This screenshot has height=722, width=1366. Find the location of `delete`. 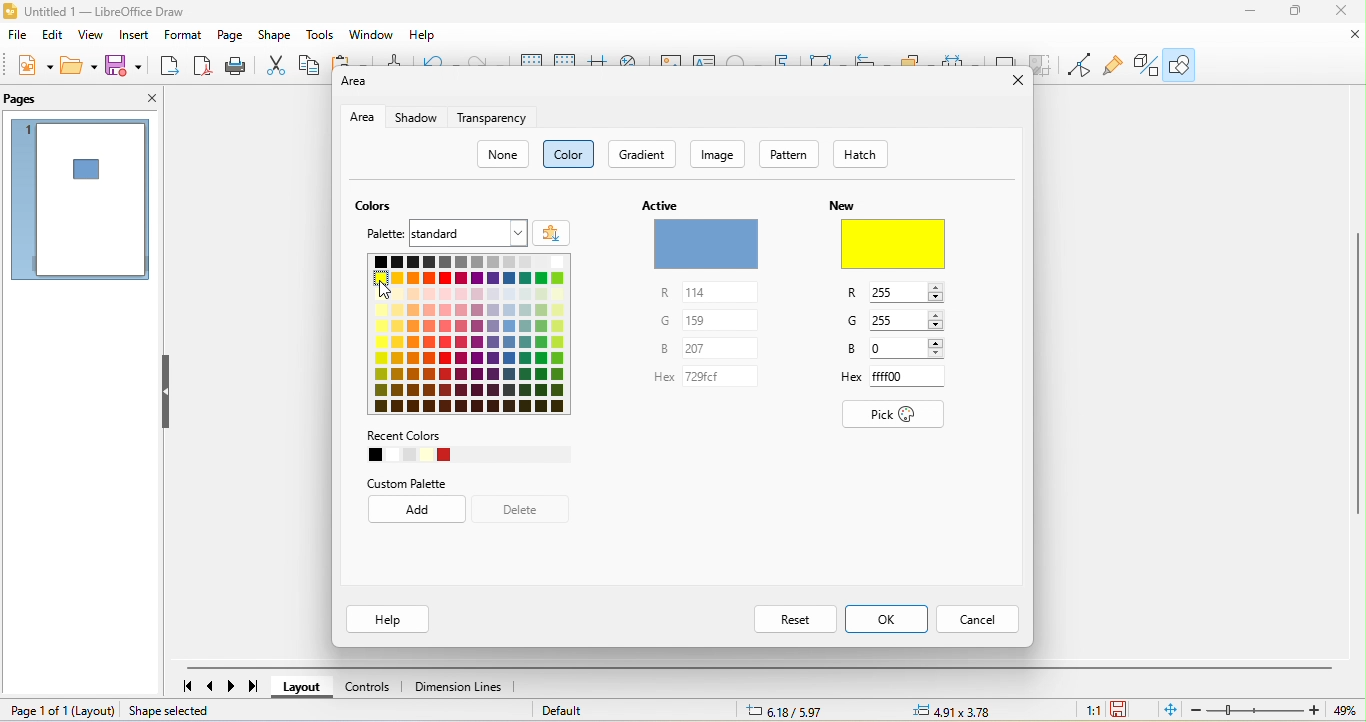

delete is located at coordinates (526, 509).